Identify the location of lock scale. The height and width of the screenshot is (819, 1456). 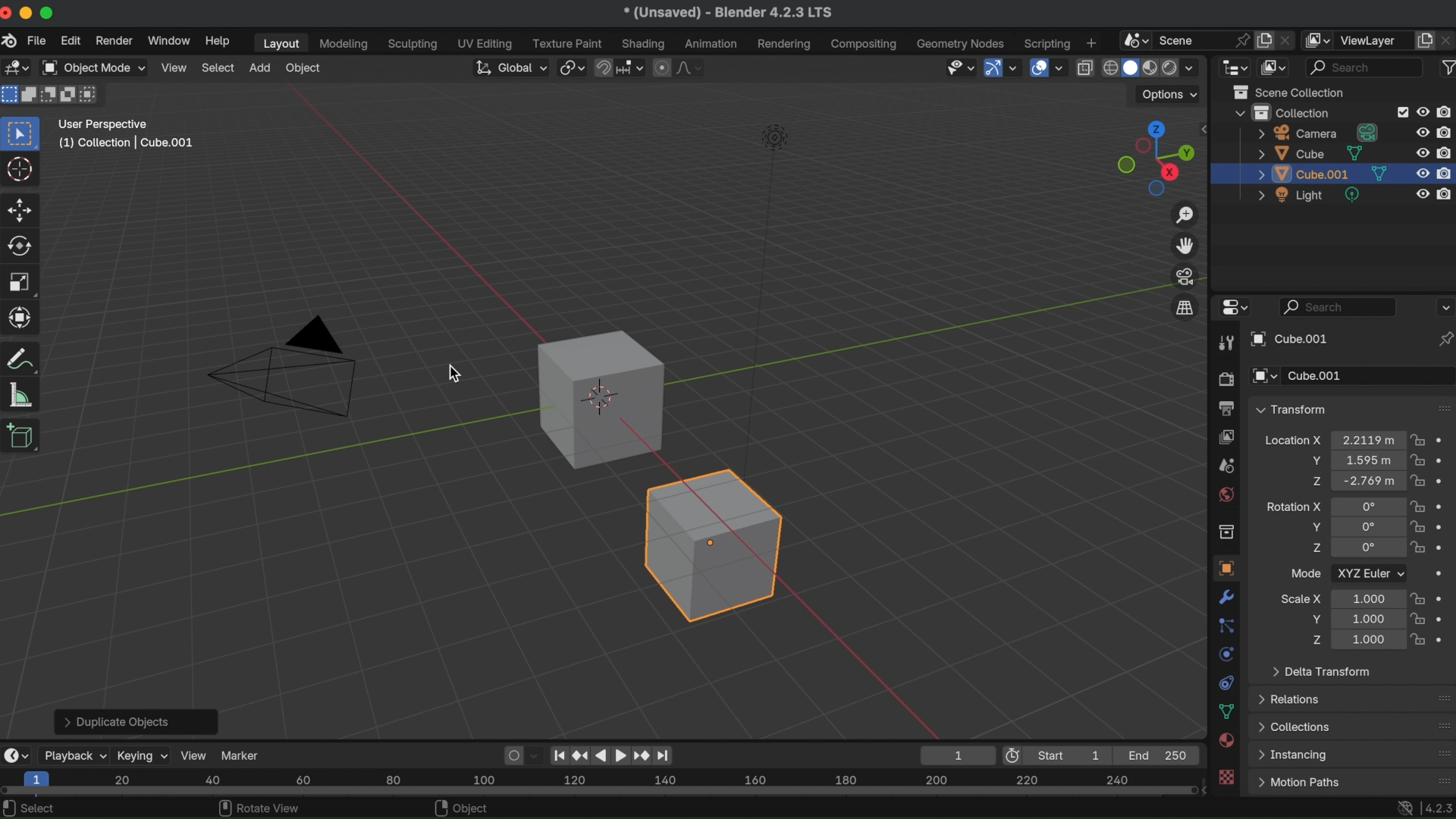
(1417, 619).